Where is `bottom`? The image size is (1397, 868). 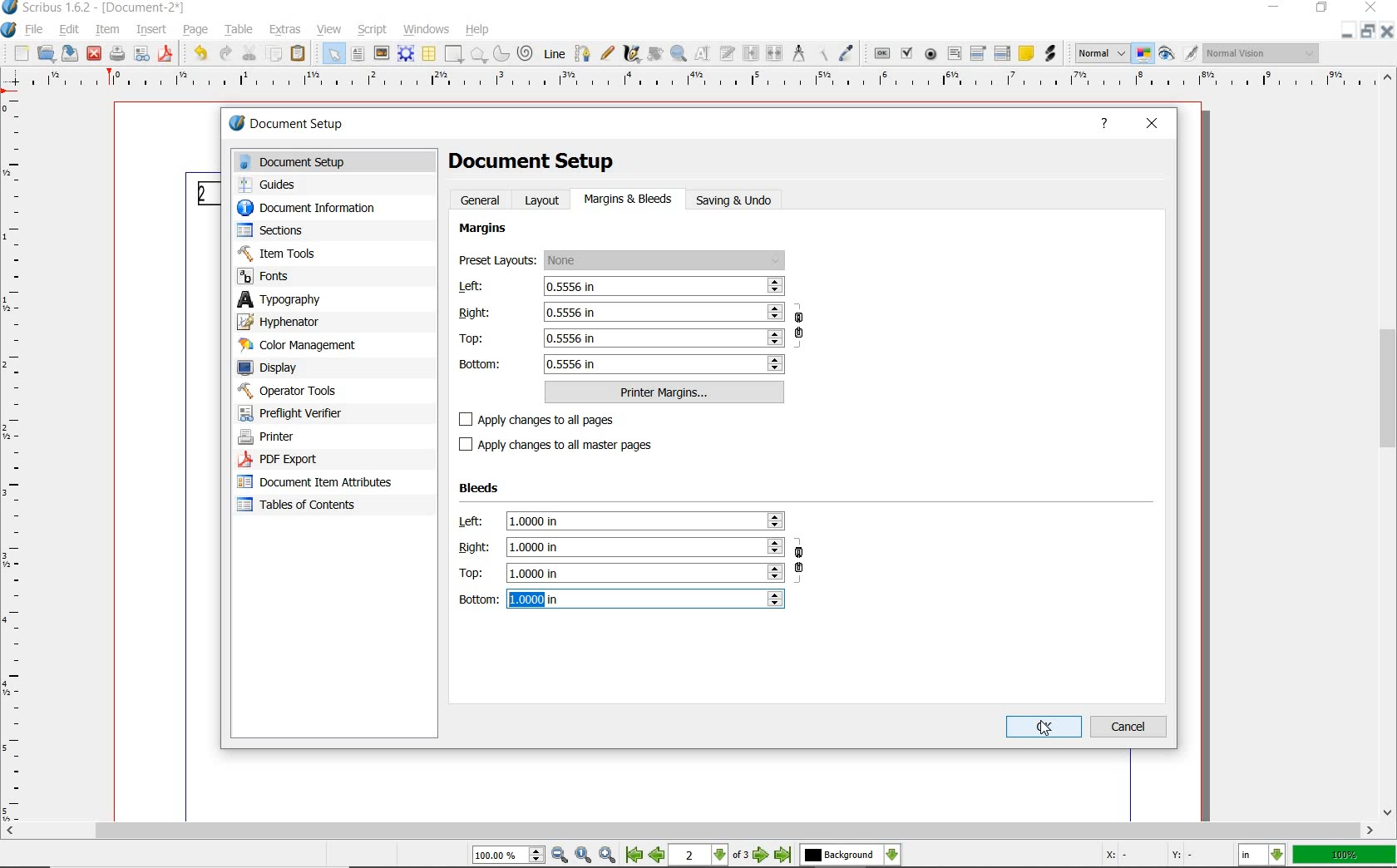 bottom is located at coordinates (623, 364).